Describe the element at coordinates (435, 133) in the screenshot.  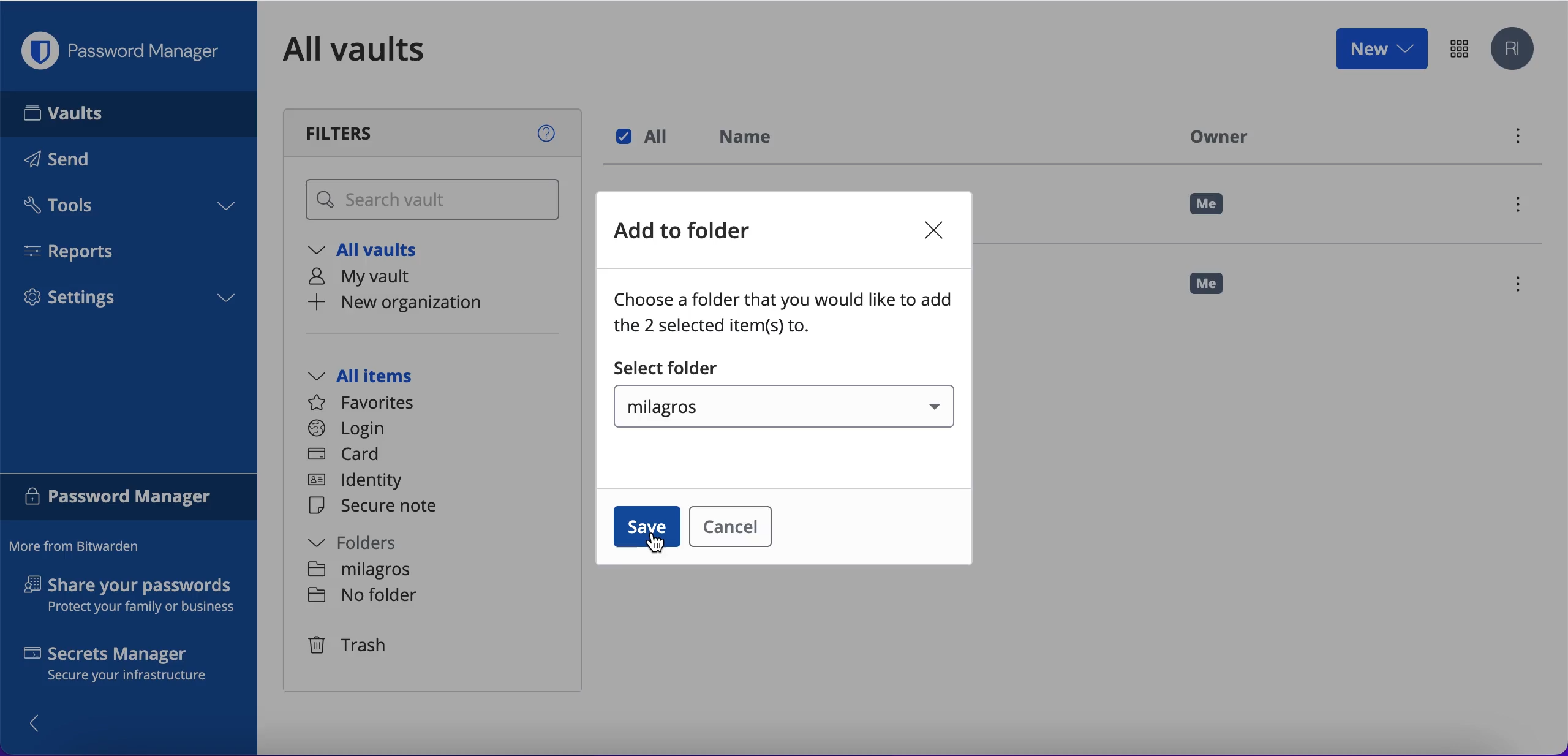
I see `filters` at that location.